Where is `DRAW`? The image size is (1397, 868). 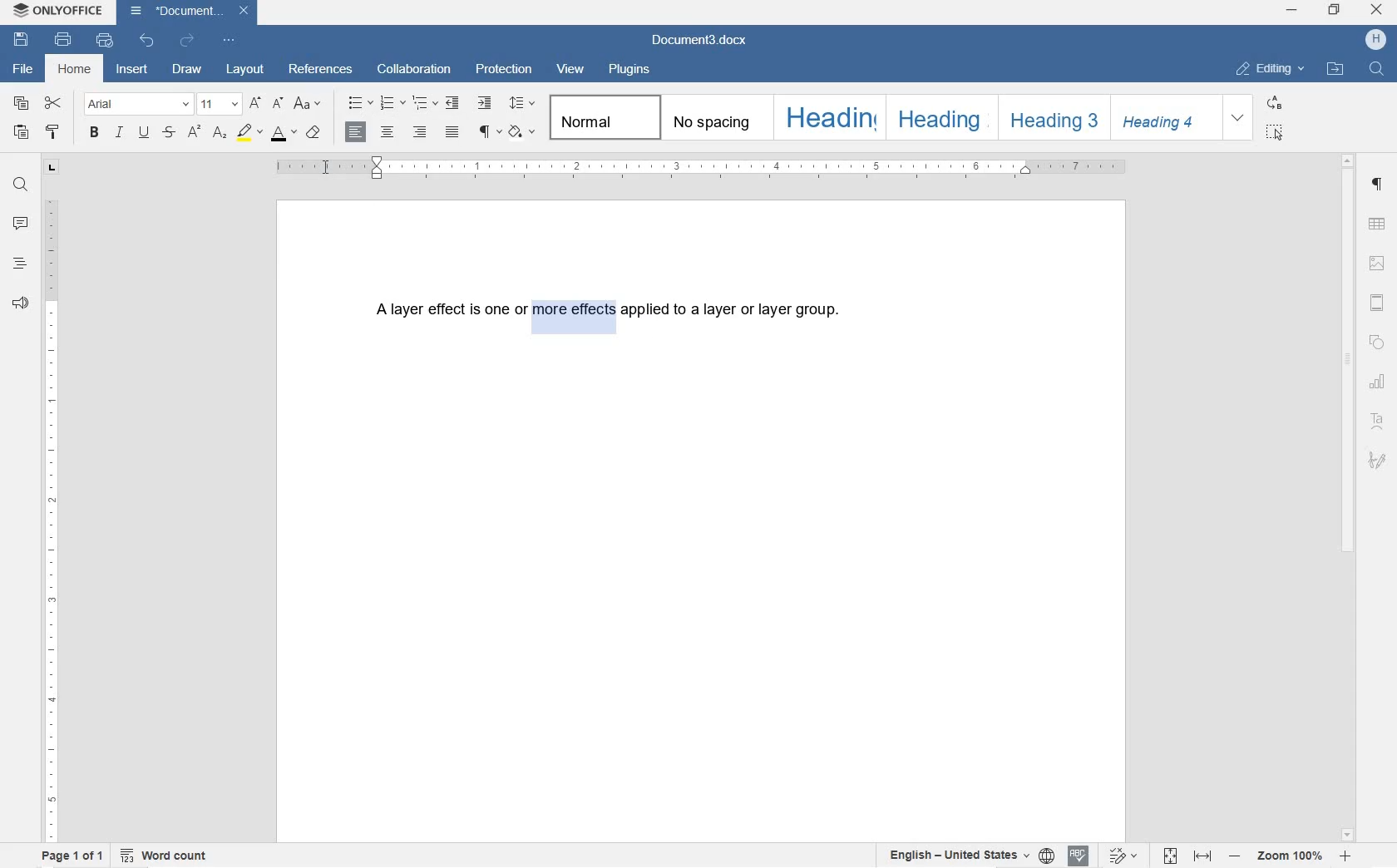 DRAW is located at coordinates (187, 68).